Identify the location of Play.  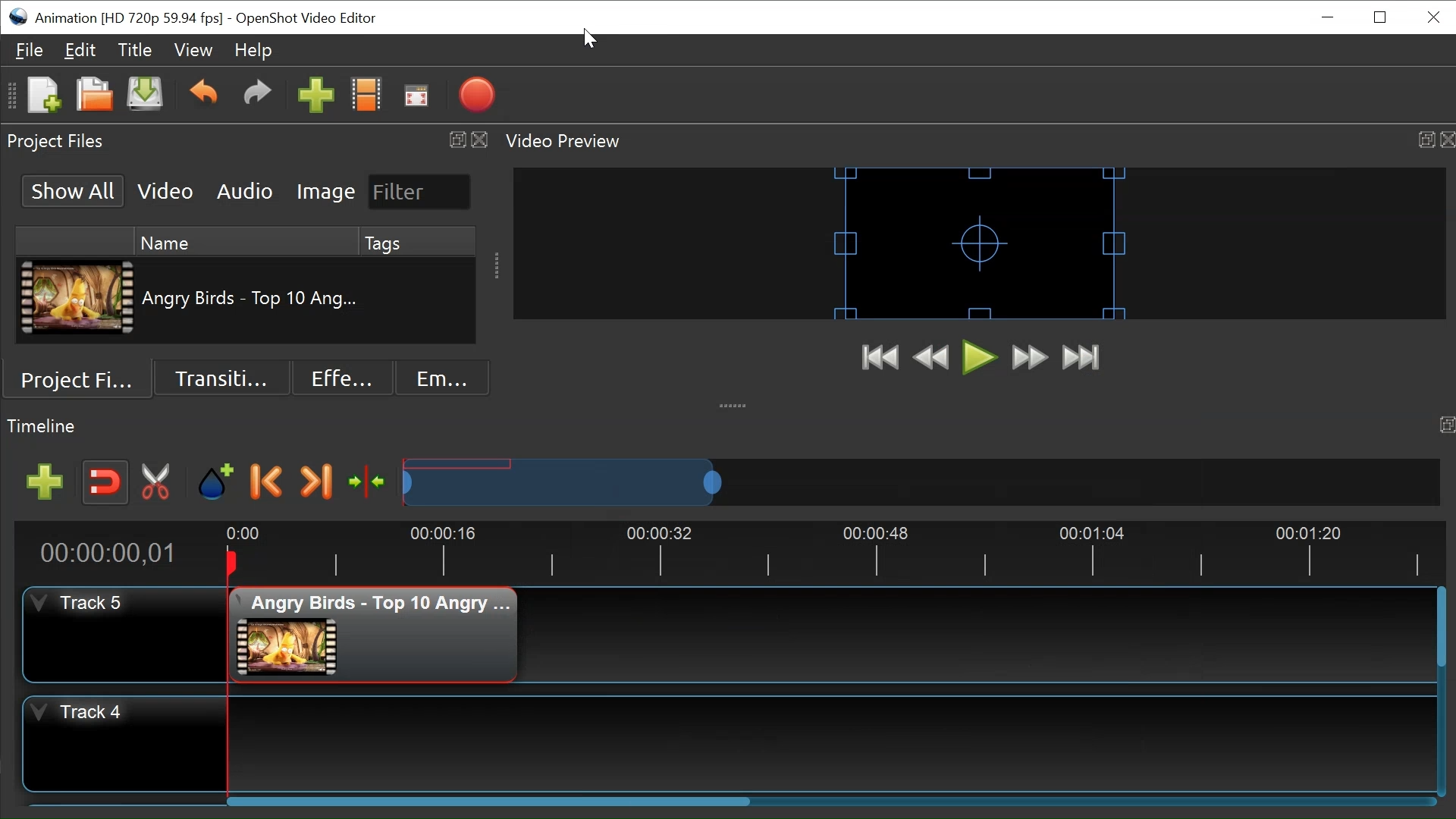
(977, 357).